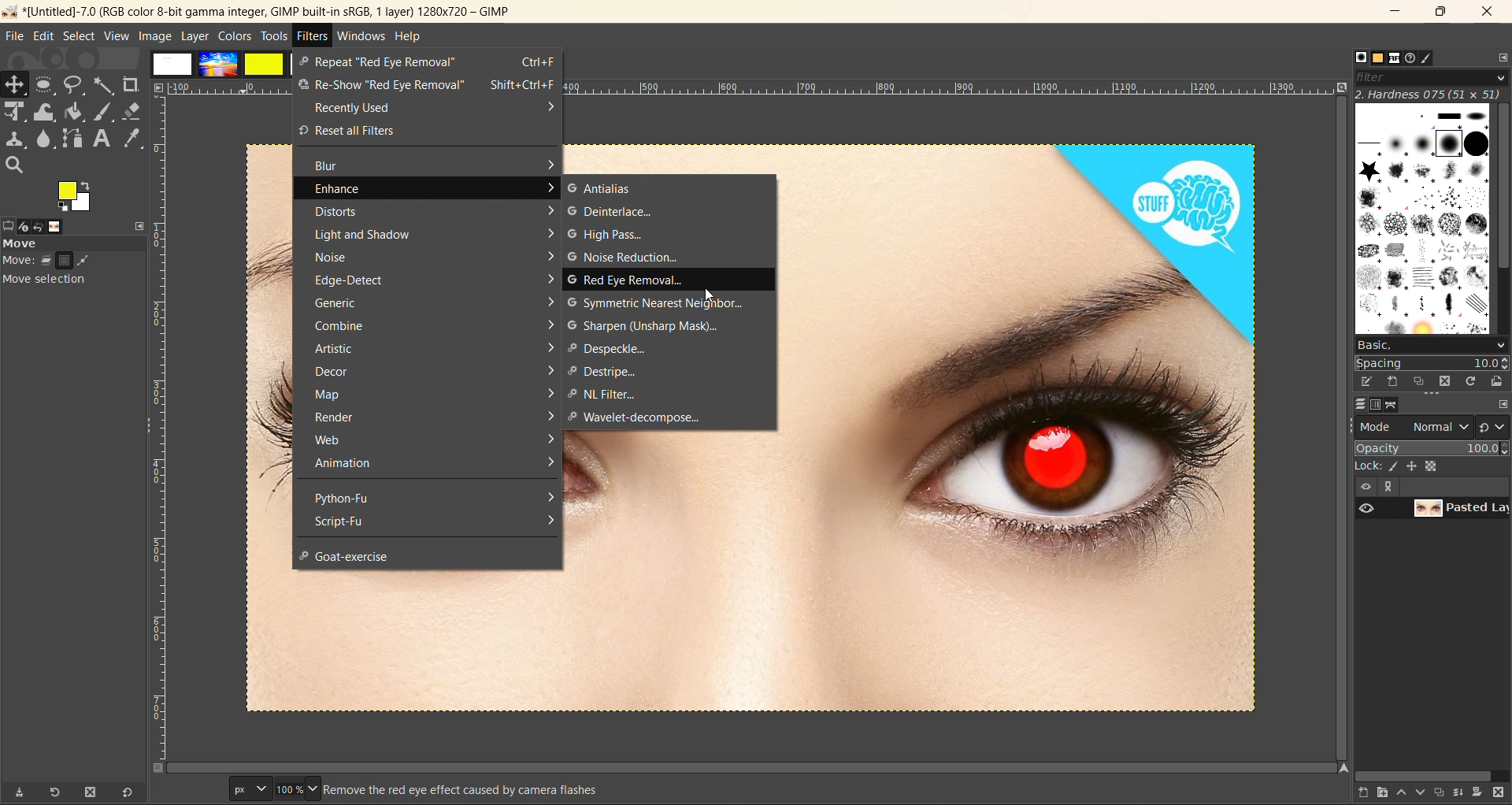 This screenshot has height=805, width=1512. Describe the element at coordinates (646, 325) in the screenshot. I see `sharpen` at that location.